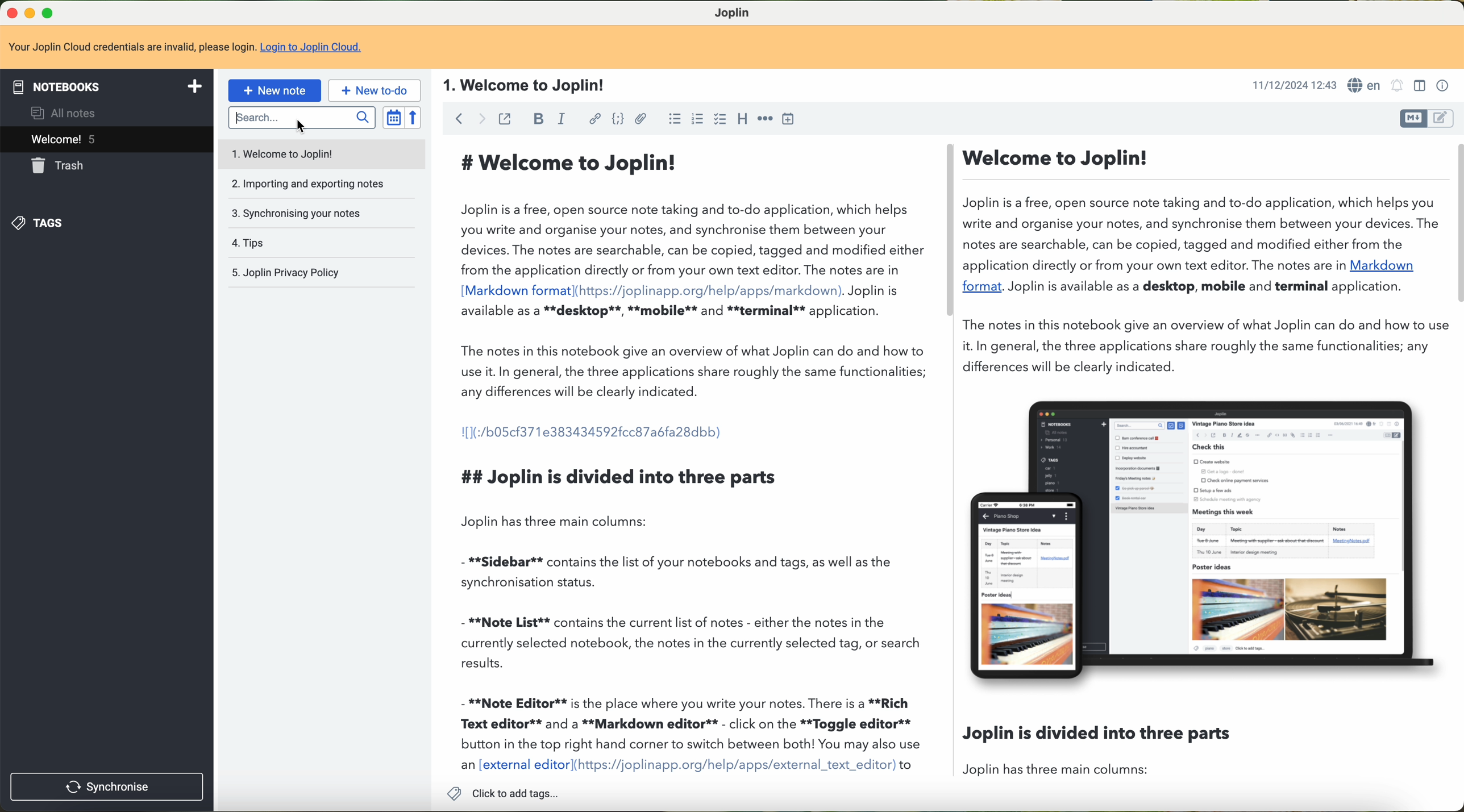 This screenshot has width=1464, height=812. I want to click on numbered list, so click(672, 118).